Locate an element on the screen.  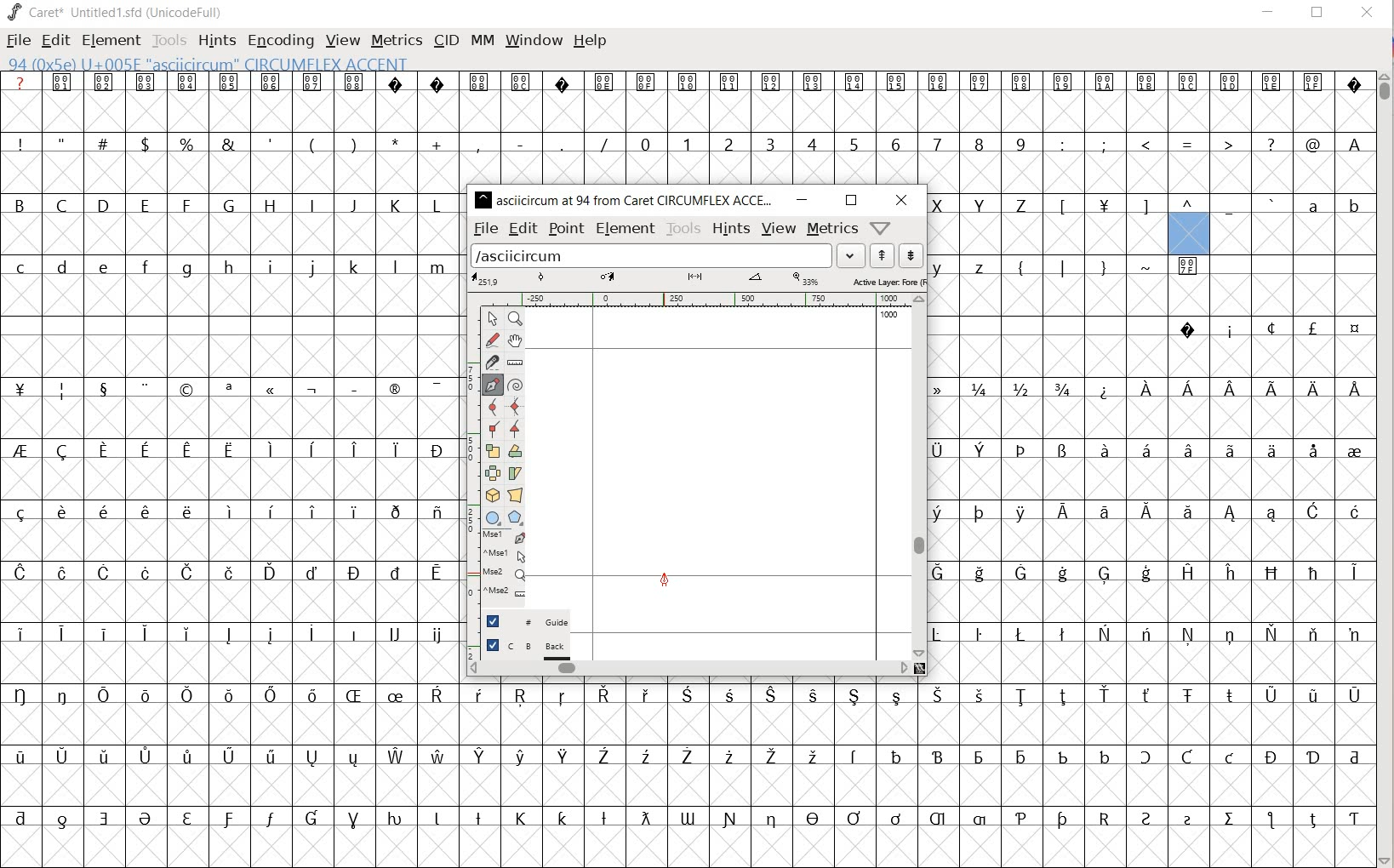
MM is located at coordinates (479, 40).